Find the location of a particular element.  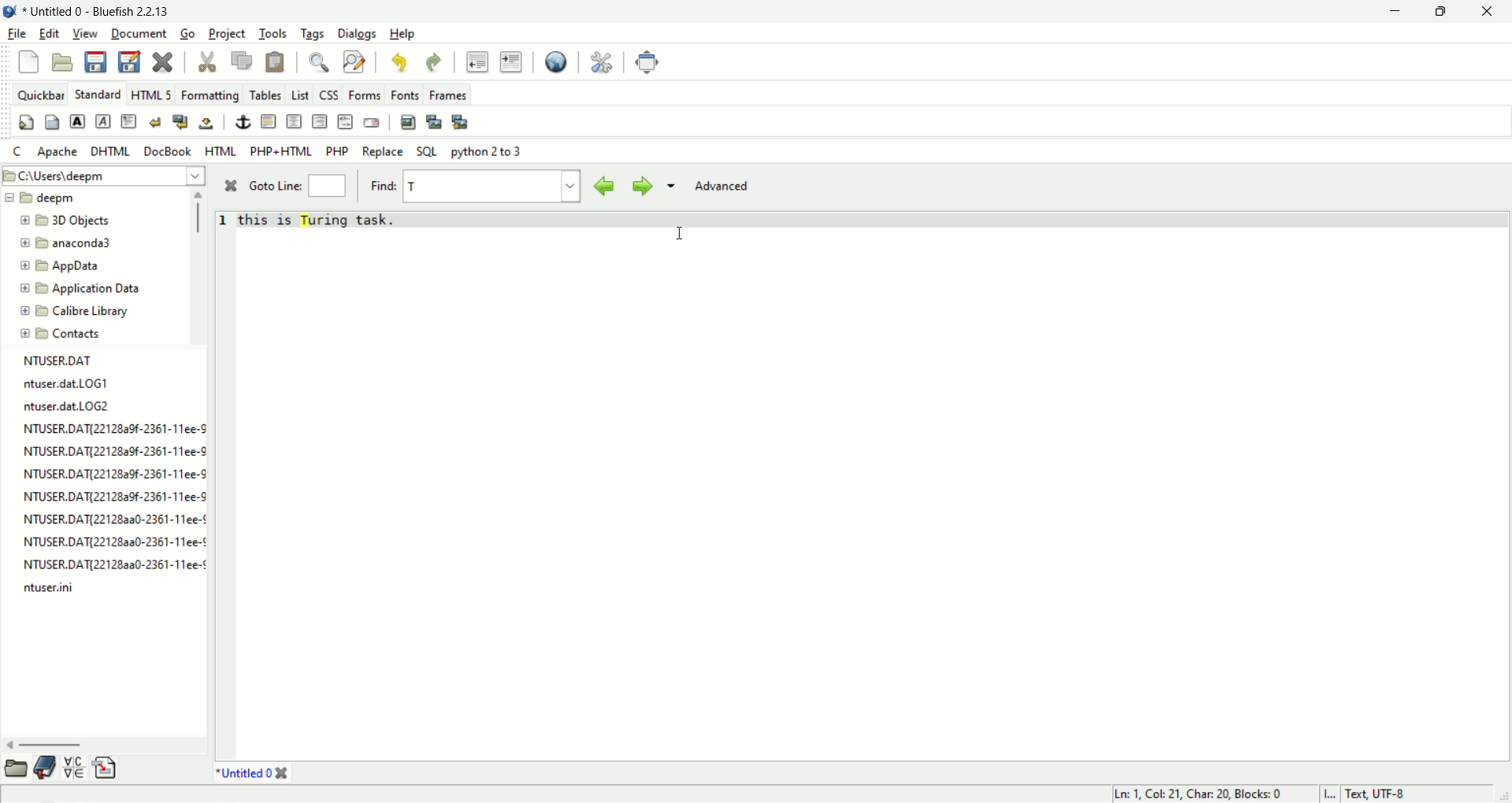

body is located at coordinates (53, 121).